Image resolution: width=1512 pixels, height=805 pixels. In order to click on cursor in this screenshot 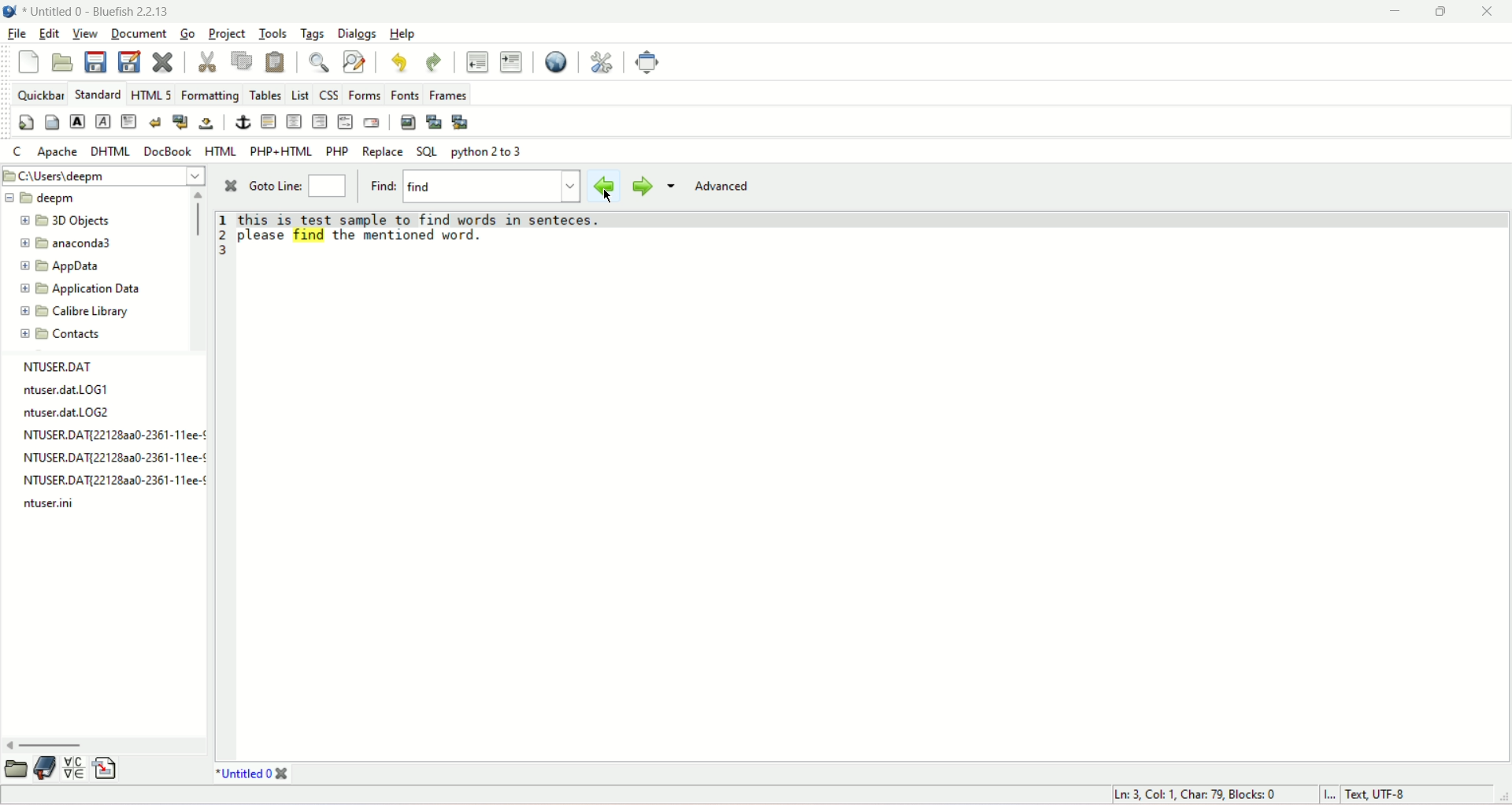, I will do `click(609, 196)`.